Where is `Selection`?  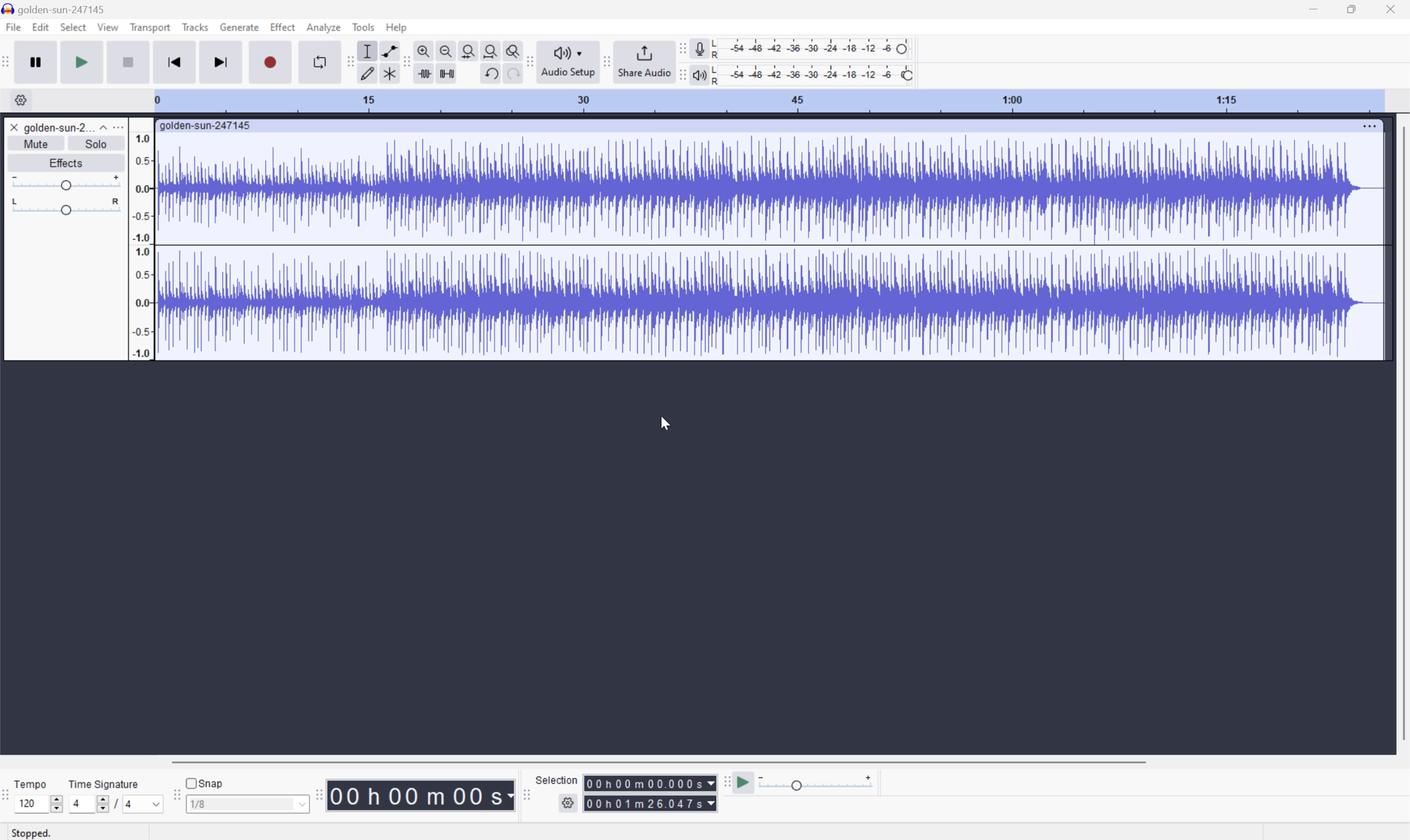
Selection is located at coordinates (649, 783).